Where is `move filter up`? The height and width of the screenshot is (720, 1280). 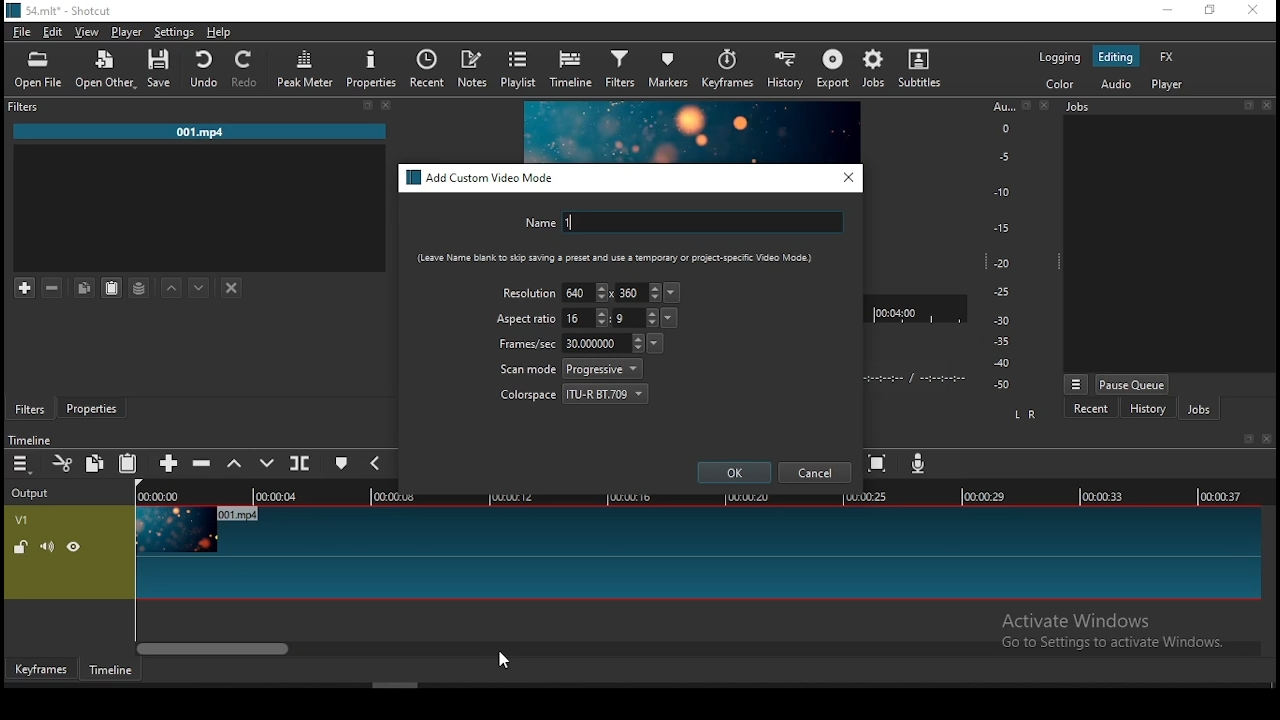 move filter up is located at coordinates (172, 286).